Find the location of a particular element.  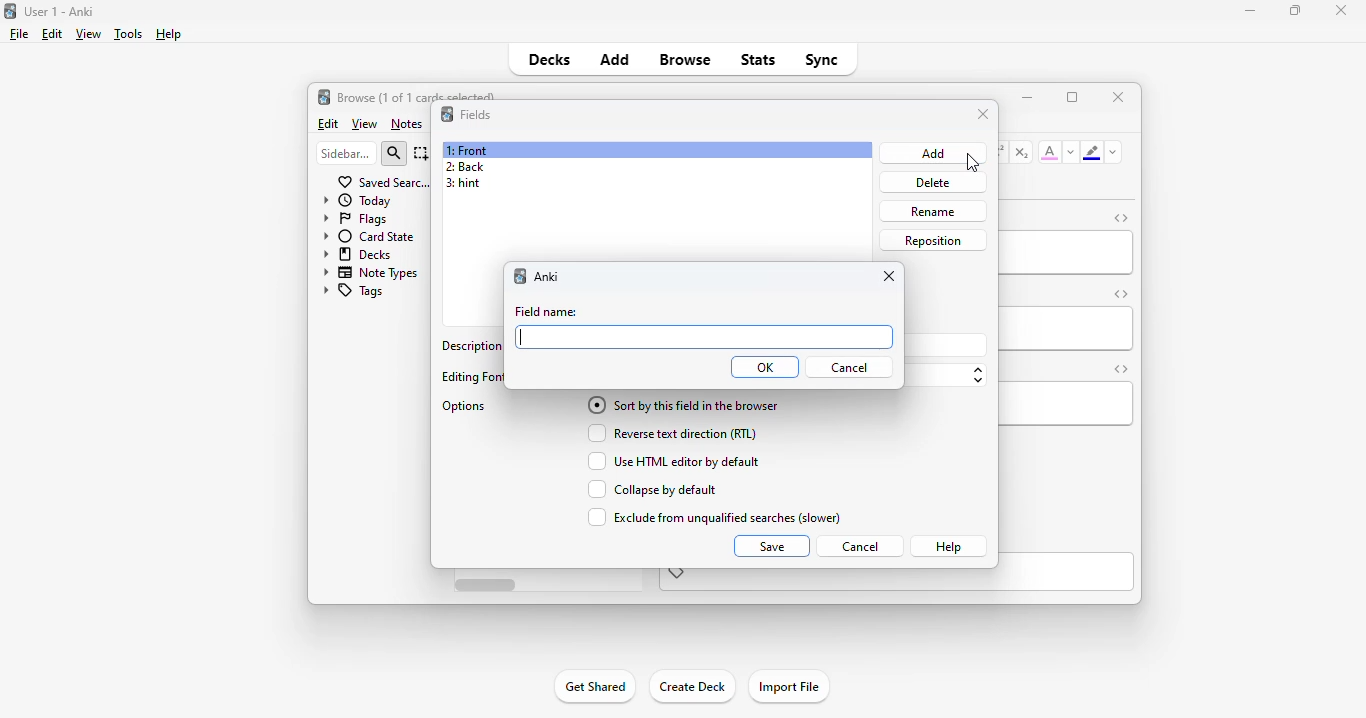

close is located at coordinates (1341, 10).